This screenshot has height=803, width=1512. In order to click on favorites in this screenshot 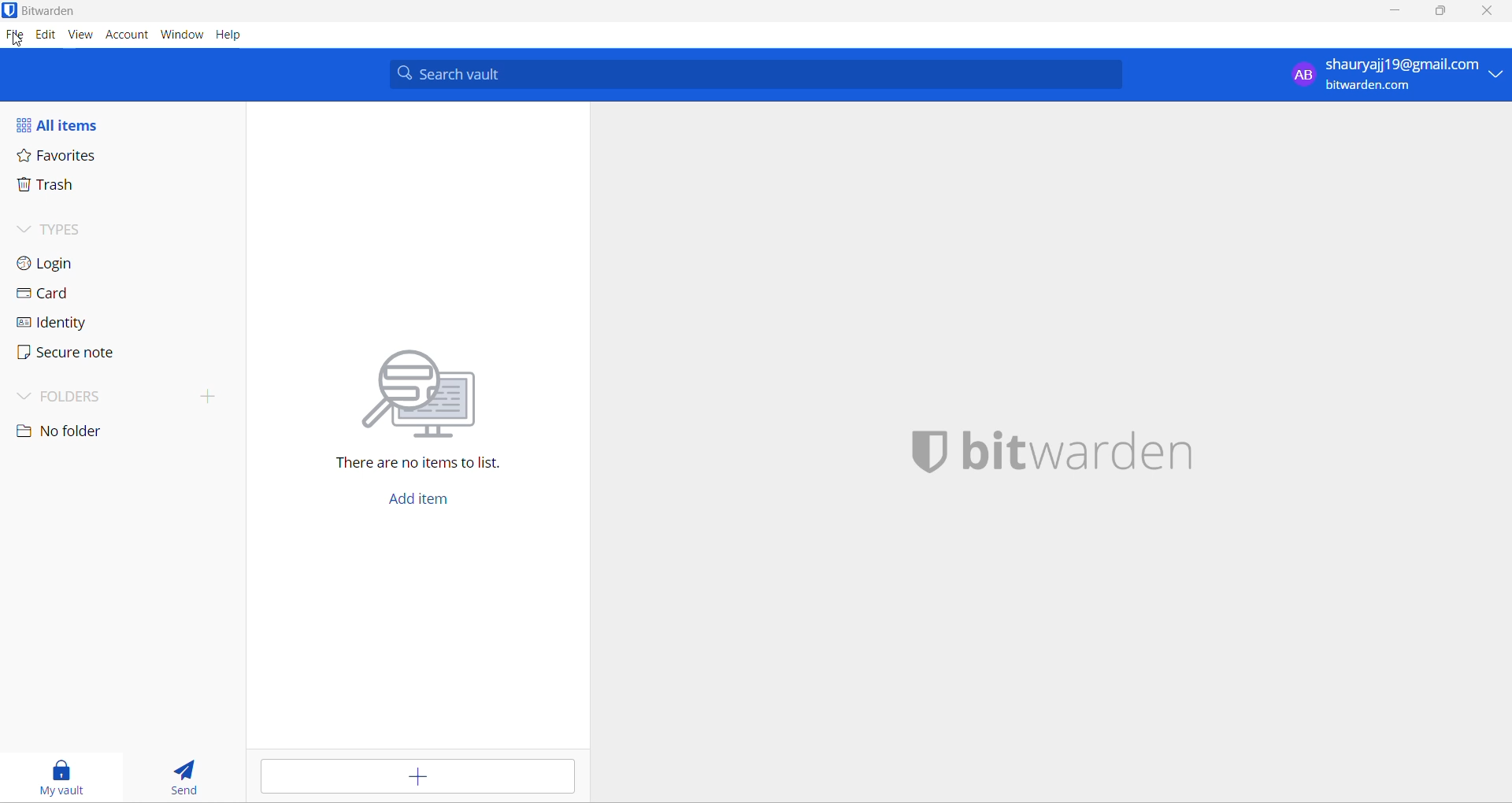, I will do `click(69, 157)`.